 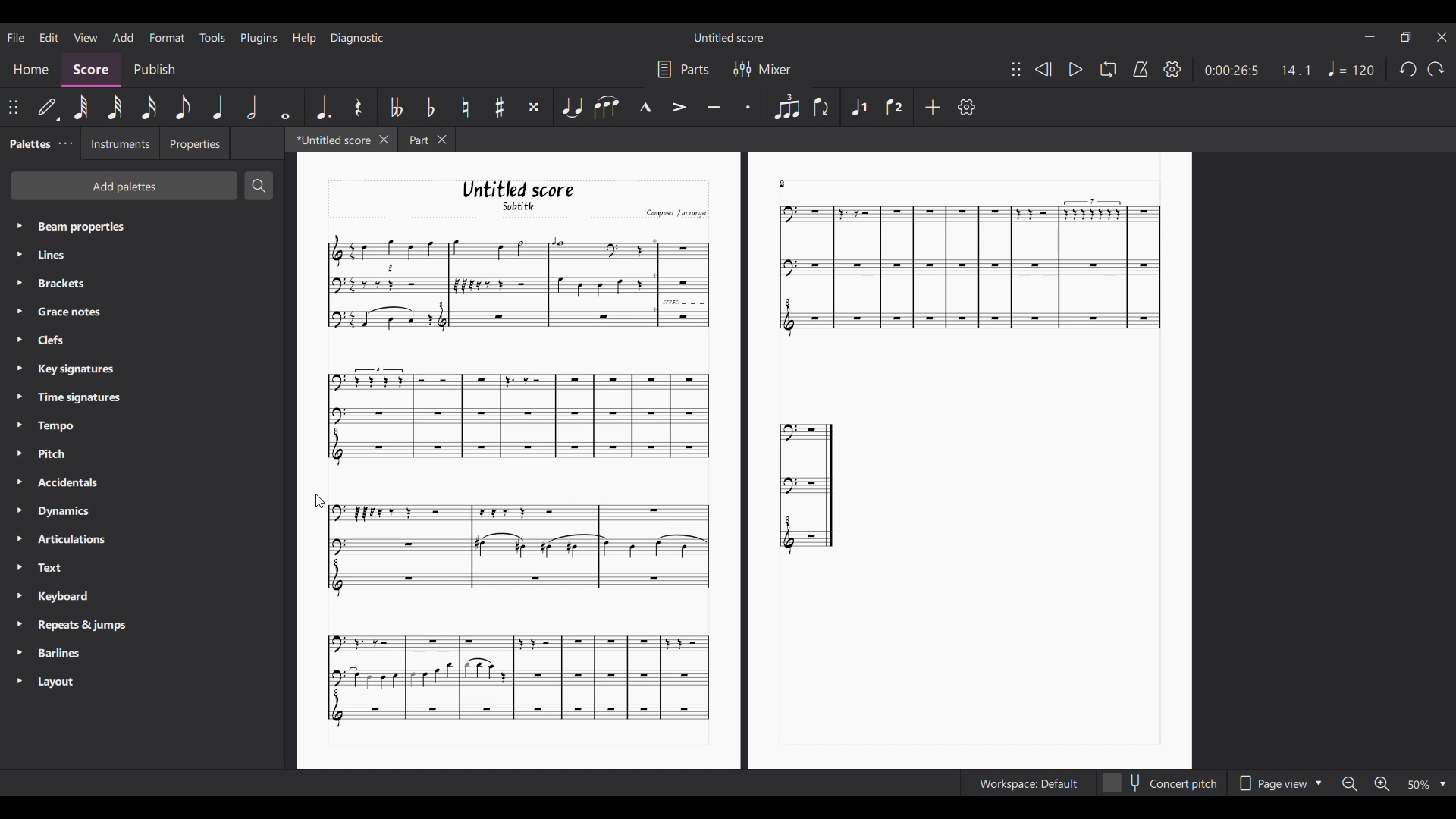 I want to click on > Beam properties, so click(x=72, y=226).